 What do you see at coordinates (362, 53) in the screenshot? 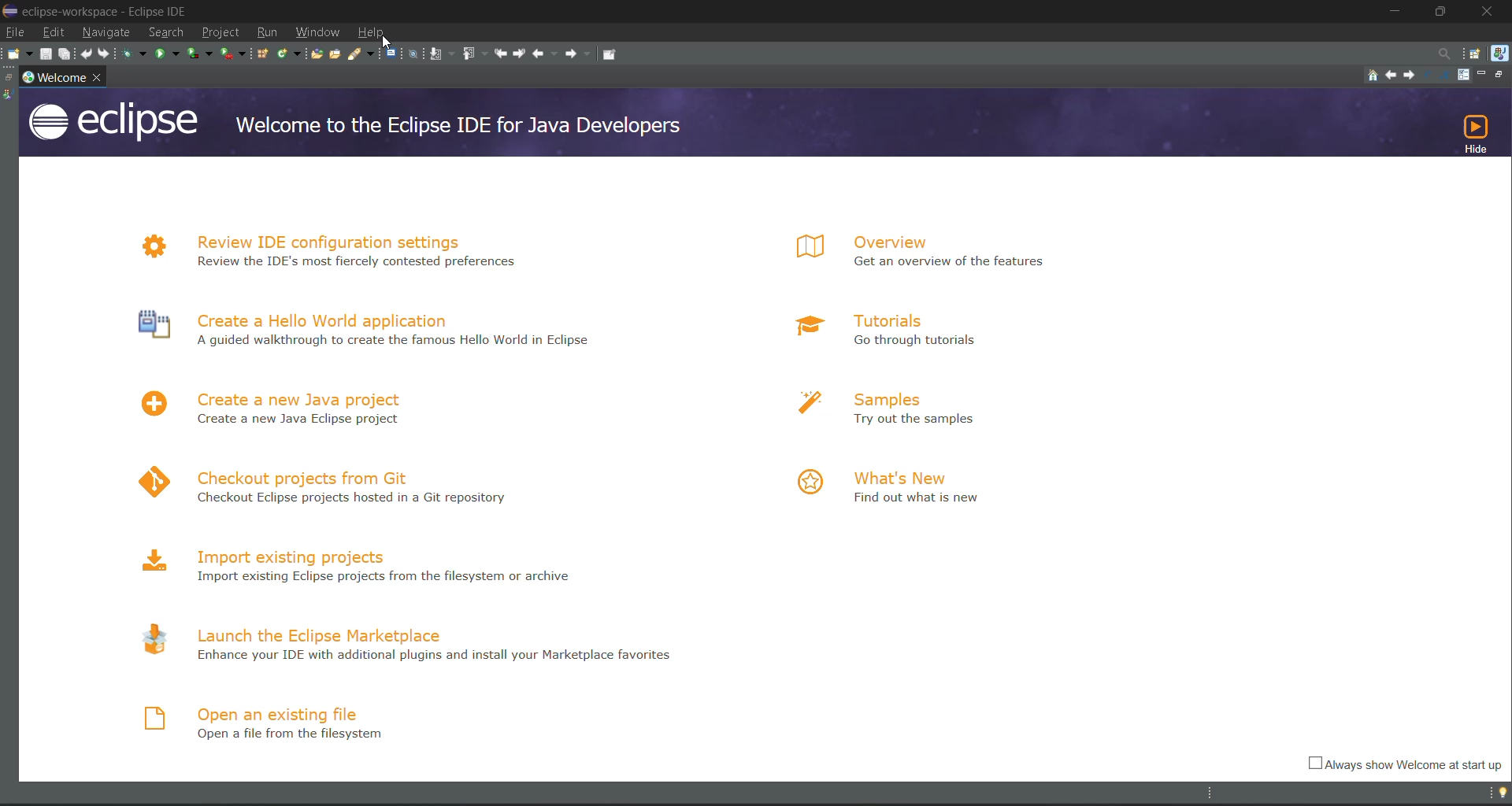
I see `search` at bounding box center [362, 53].